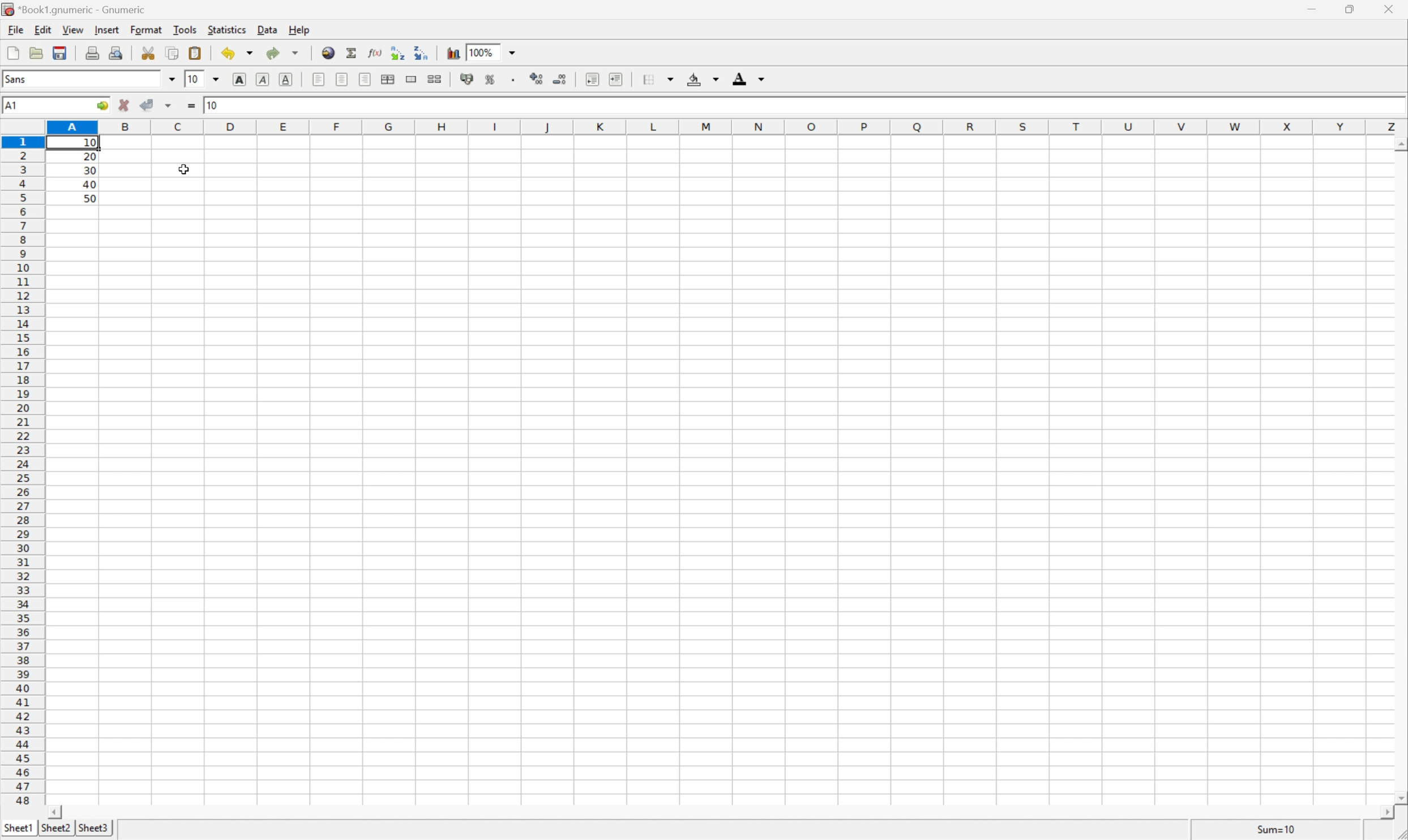  I want to click on Column names, so click(725, 126).